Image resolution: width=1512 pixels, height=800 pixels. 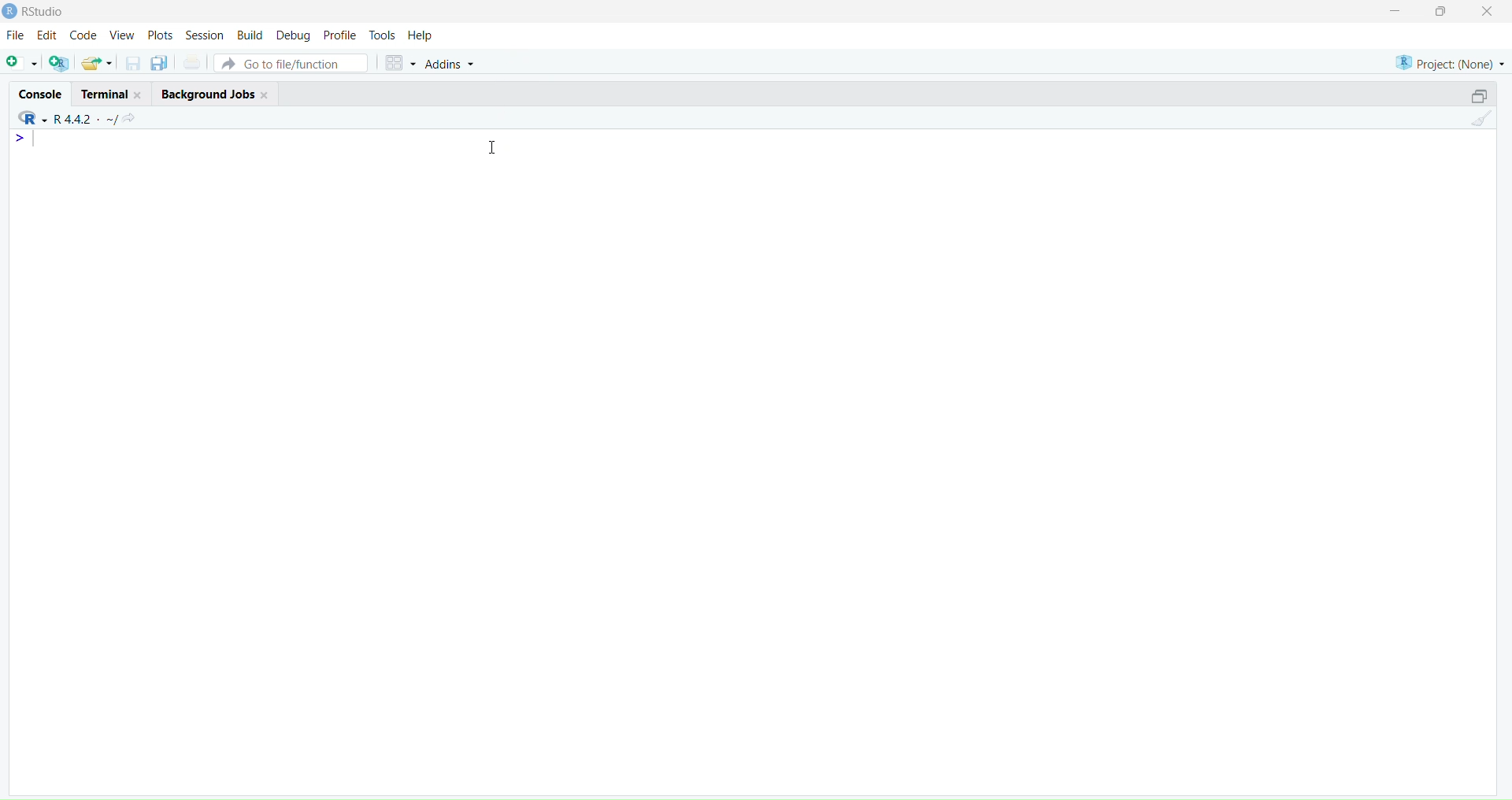 I want to click on project(None), so click(x=1447, y=62).